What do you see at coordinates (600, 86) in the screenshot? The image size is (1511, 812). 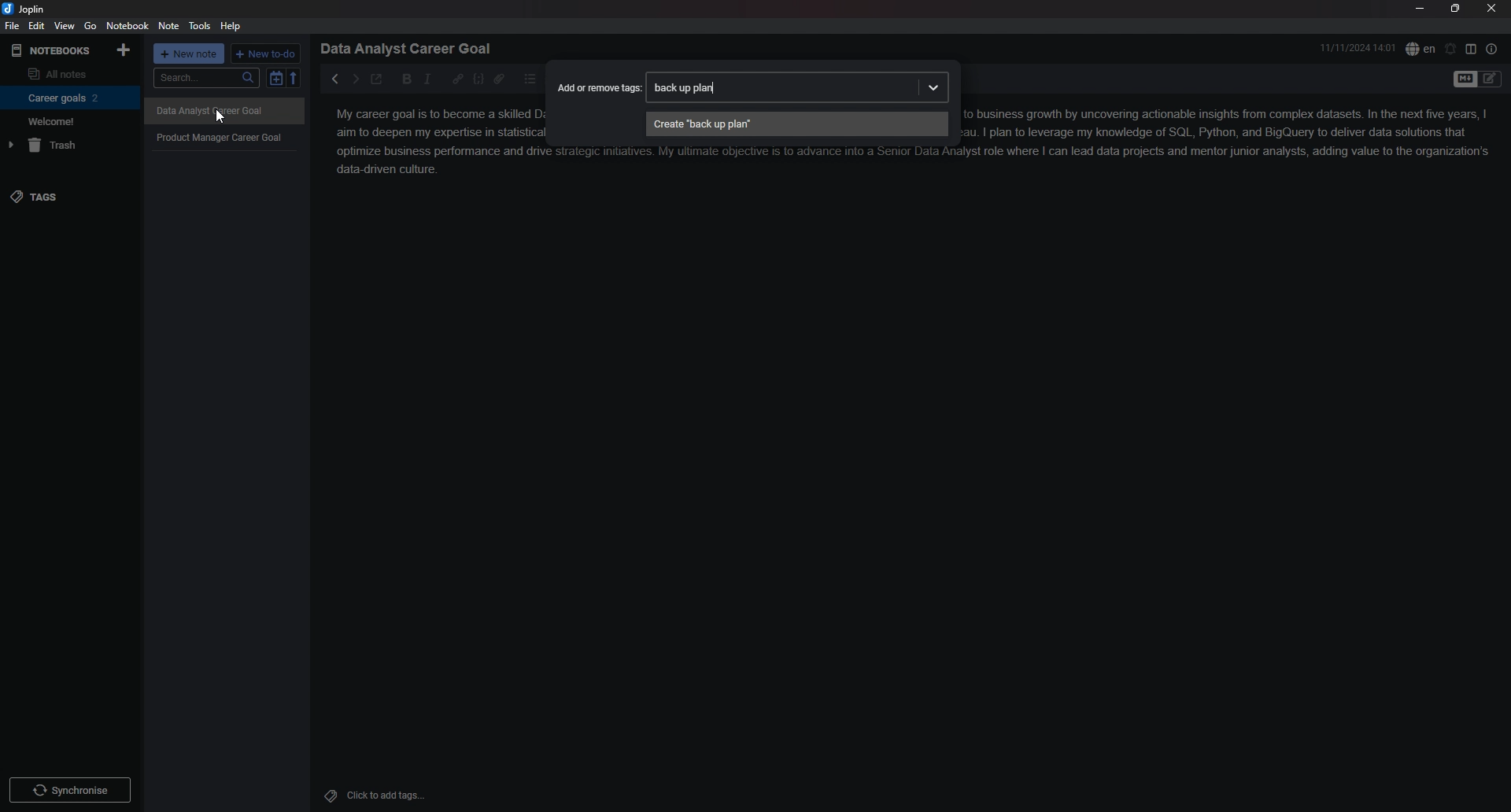 I see `add or remove tags` at bounding box center [600, 86].